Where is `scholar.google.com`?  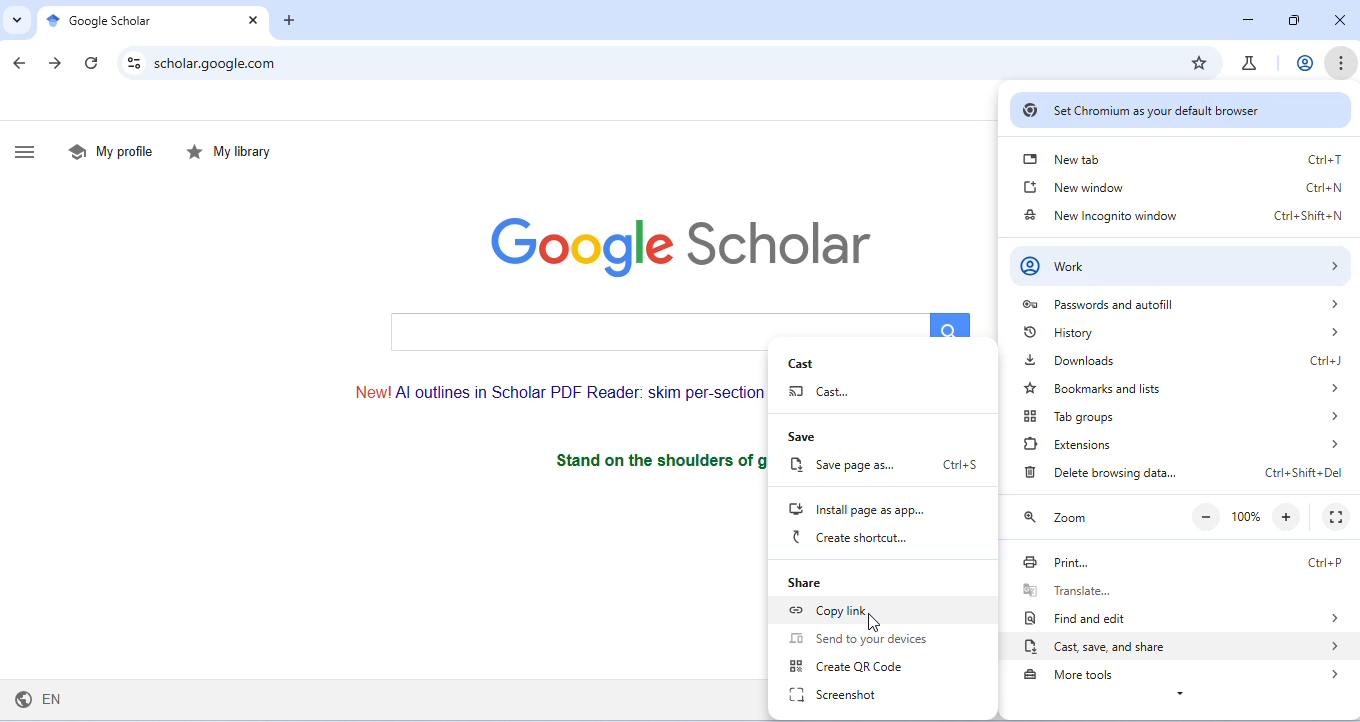
scholar.google.com is located at coordinates (220, 65).